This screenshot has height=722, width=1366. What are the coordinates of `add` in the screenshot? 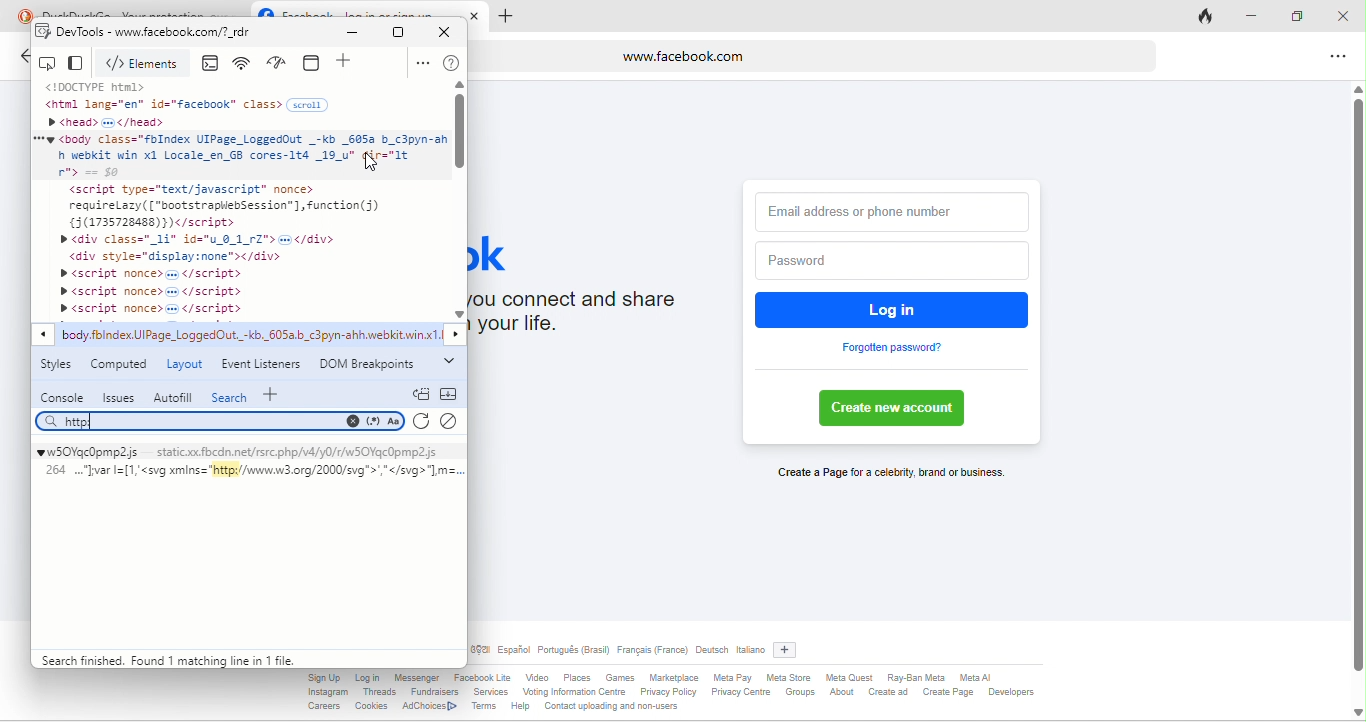 It's located at (347, 63).